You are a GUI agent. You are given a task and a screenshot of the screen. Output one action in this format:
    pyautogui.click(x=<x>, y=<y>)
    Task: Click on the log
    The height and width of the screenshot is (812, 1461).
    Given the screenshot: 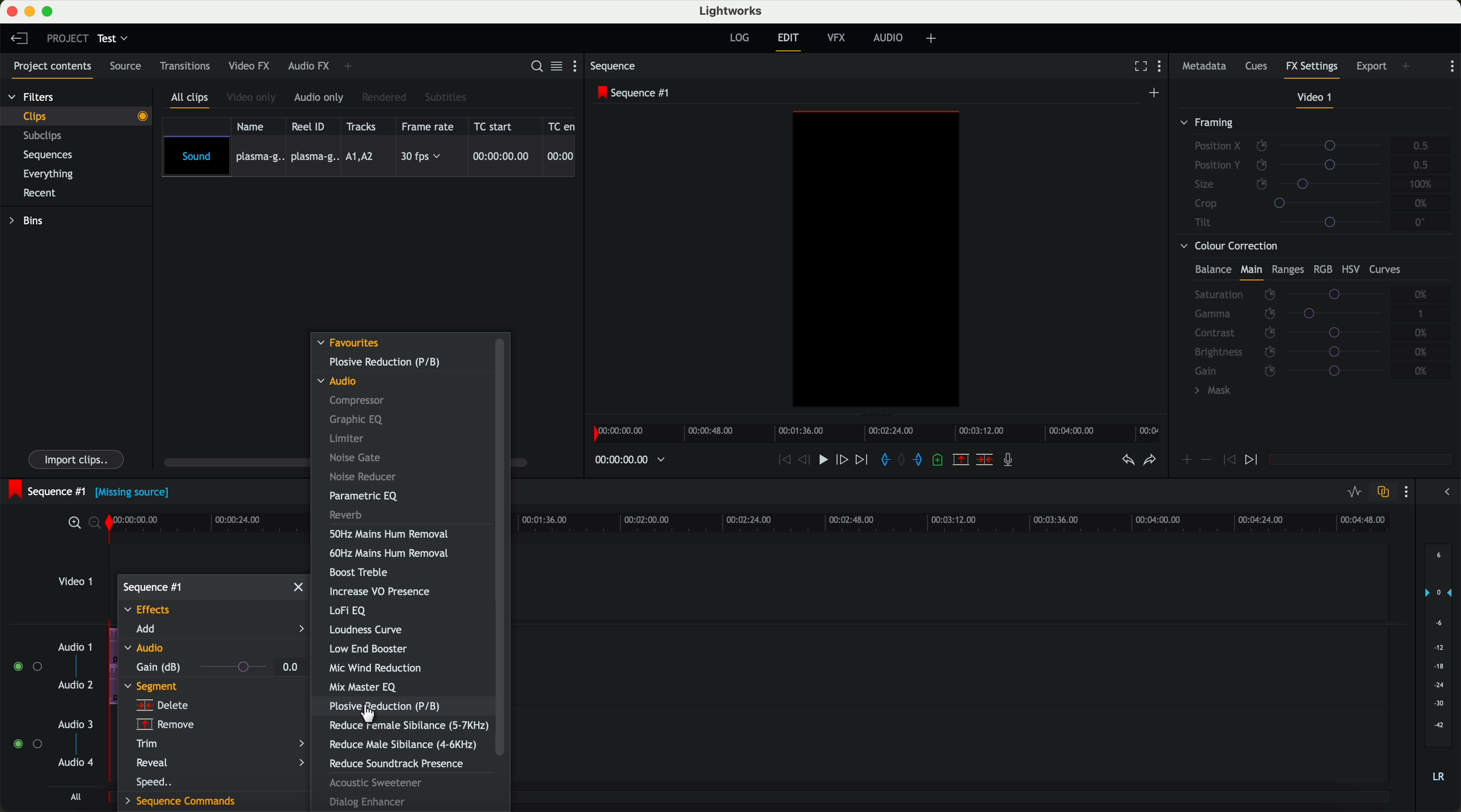 What is the action you would take?
    pyautogui.click(x=738, y=38)
    